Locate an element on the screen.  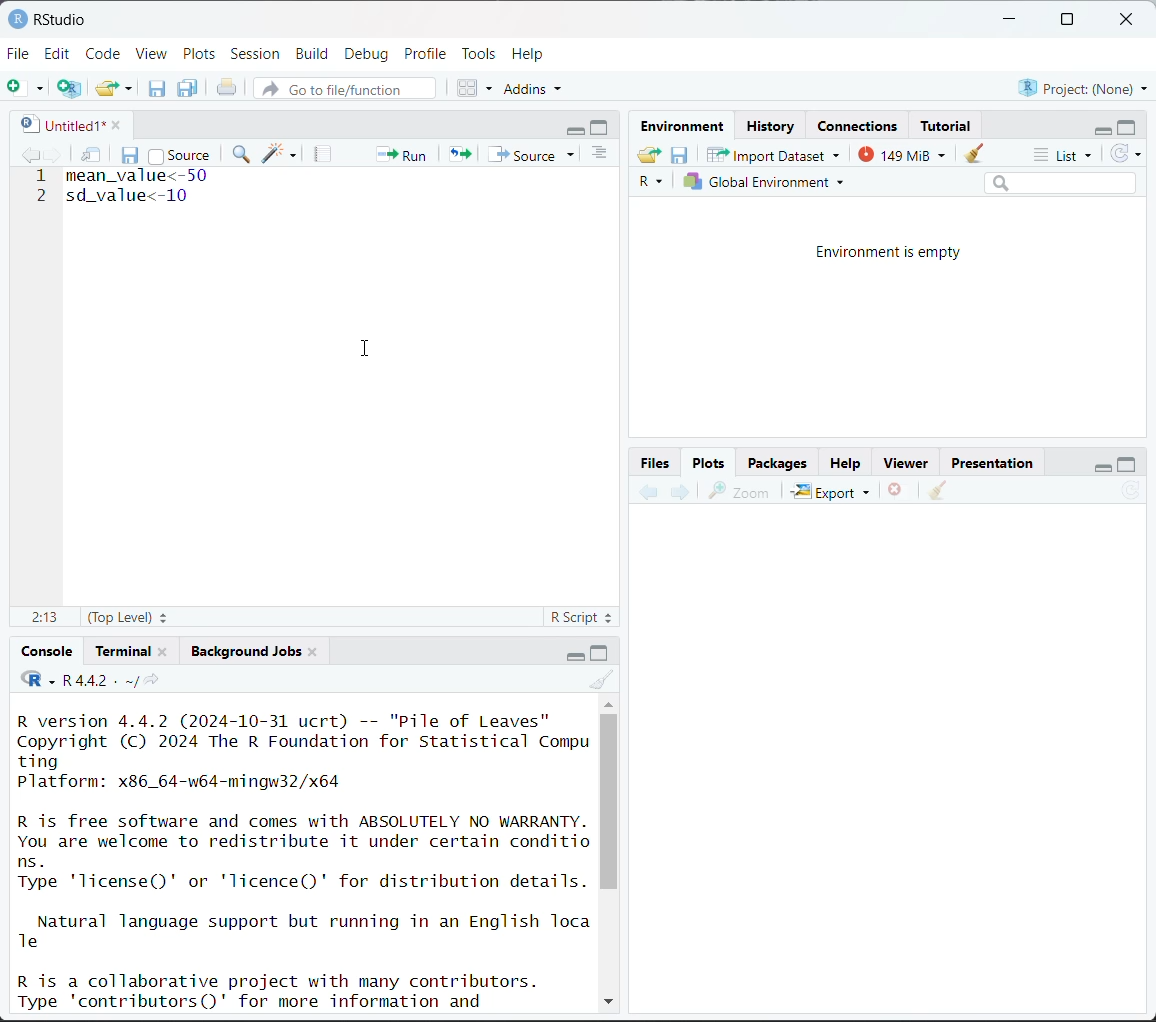
find/replace is located at coordinates (243, 156).